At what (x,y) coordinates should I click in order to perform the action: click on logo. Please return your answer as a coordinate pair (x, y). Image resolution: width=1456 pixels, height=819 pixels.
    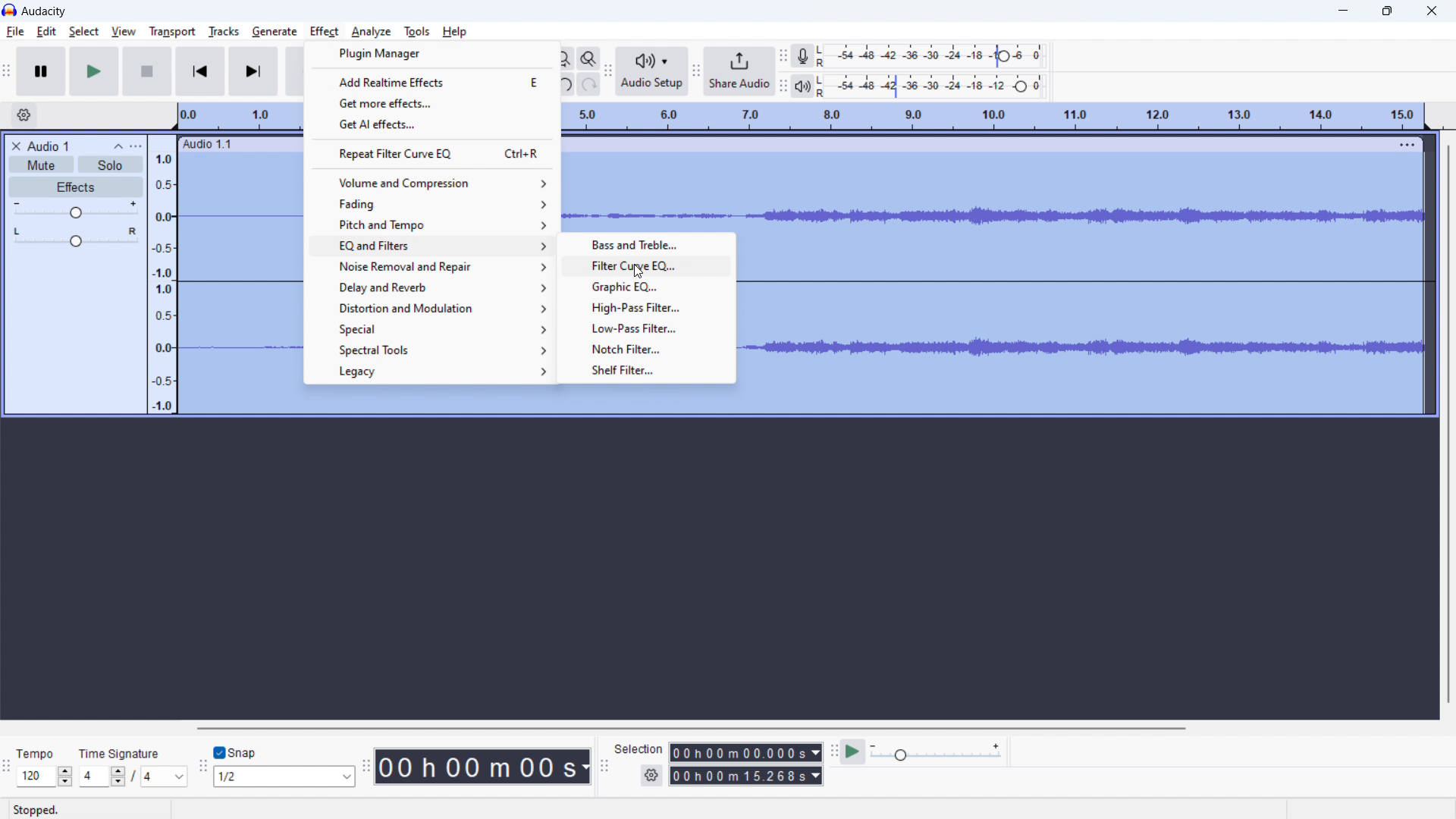
    Looking at the image, I should click on (10, 9).